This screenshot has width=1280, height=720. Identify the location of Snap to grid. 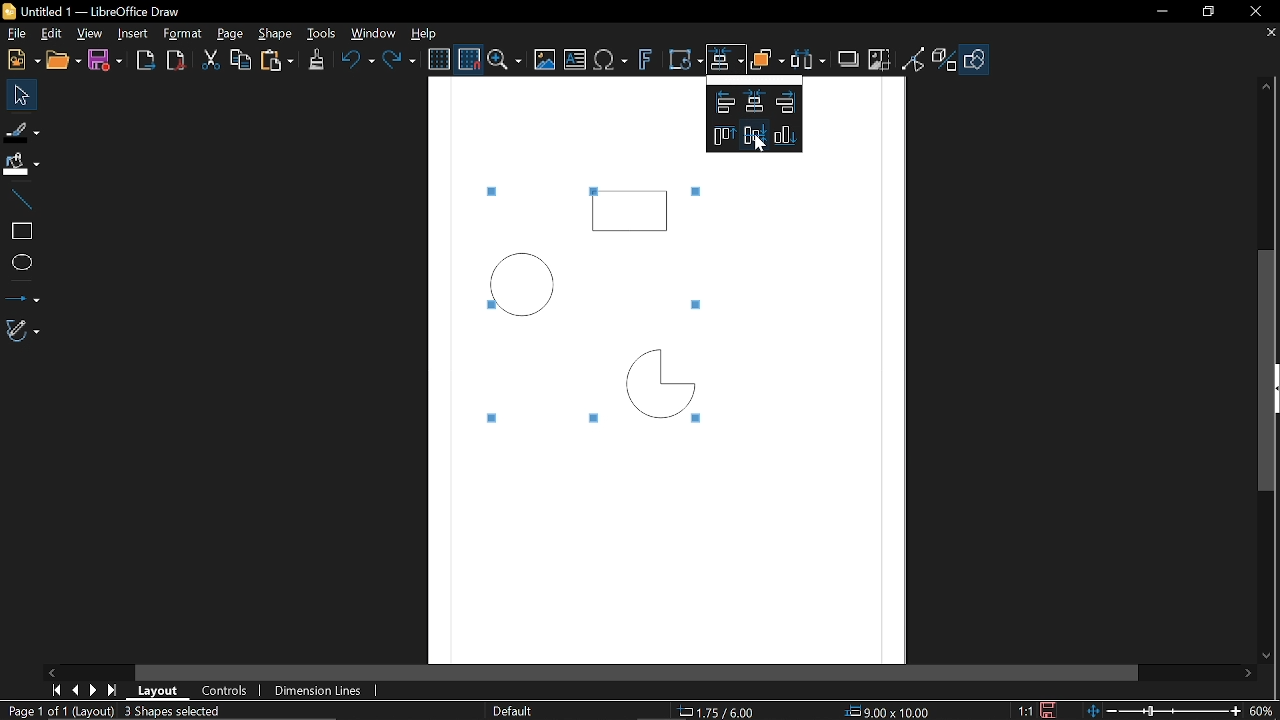
(468, 57).